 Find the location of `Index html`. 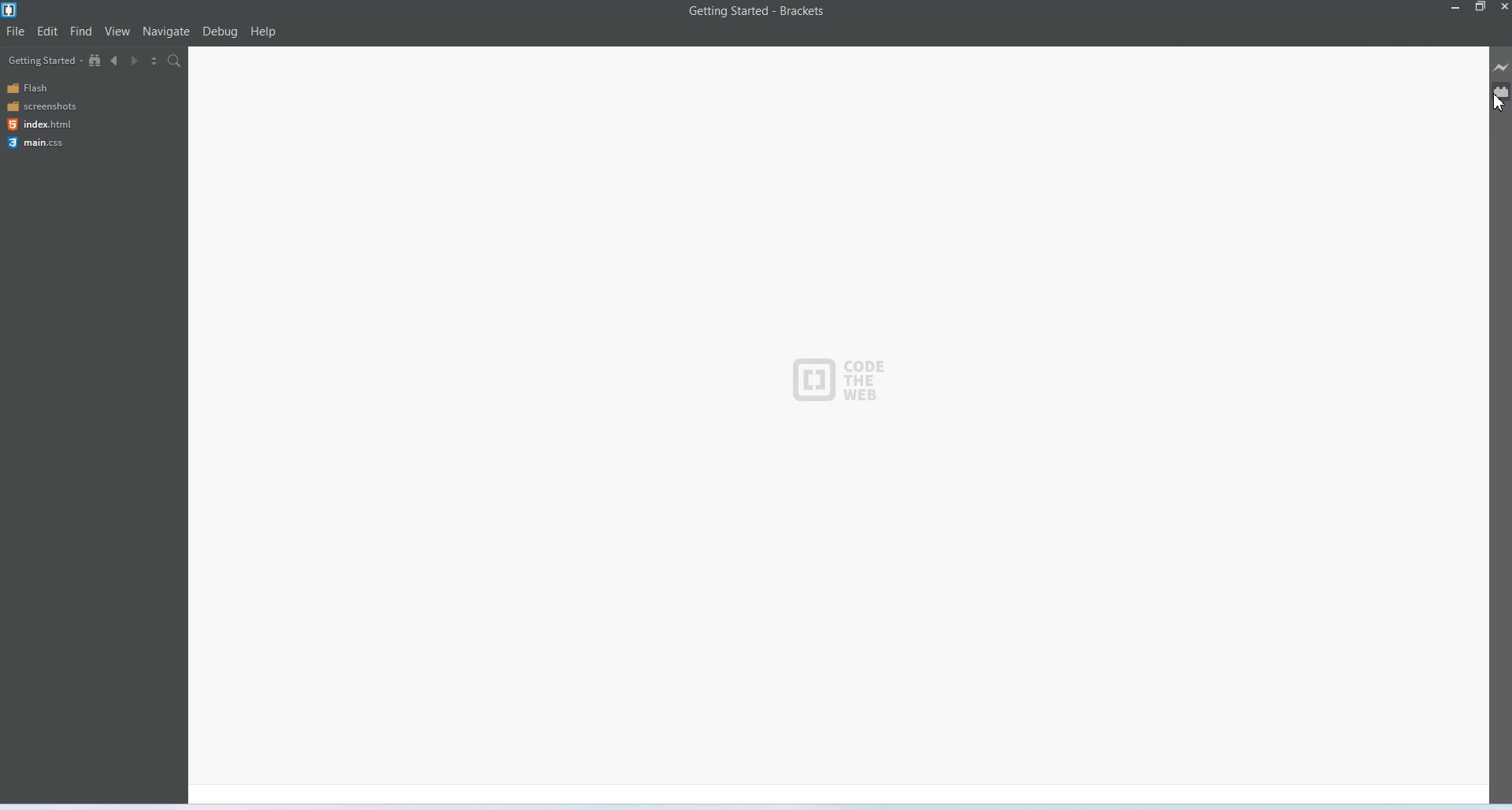

Index html is located at coordinates (54, 125).